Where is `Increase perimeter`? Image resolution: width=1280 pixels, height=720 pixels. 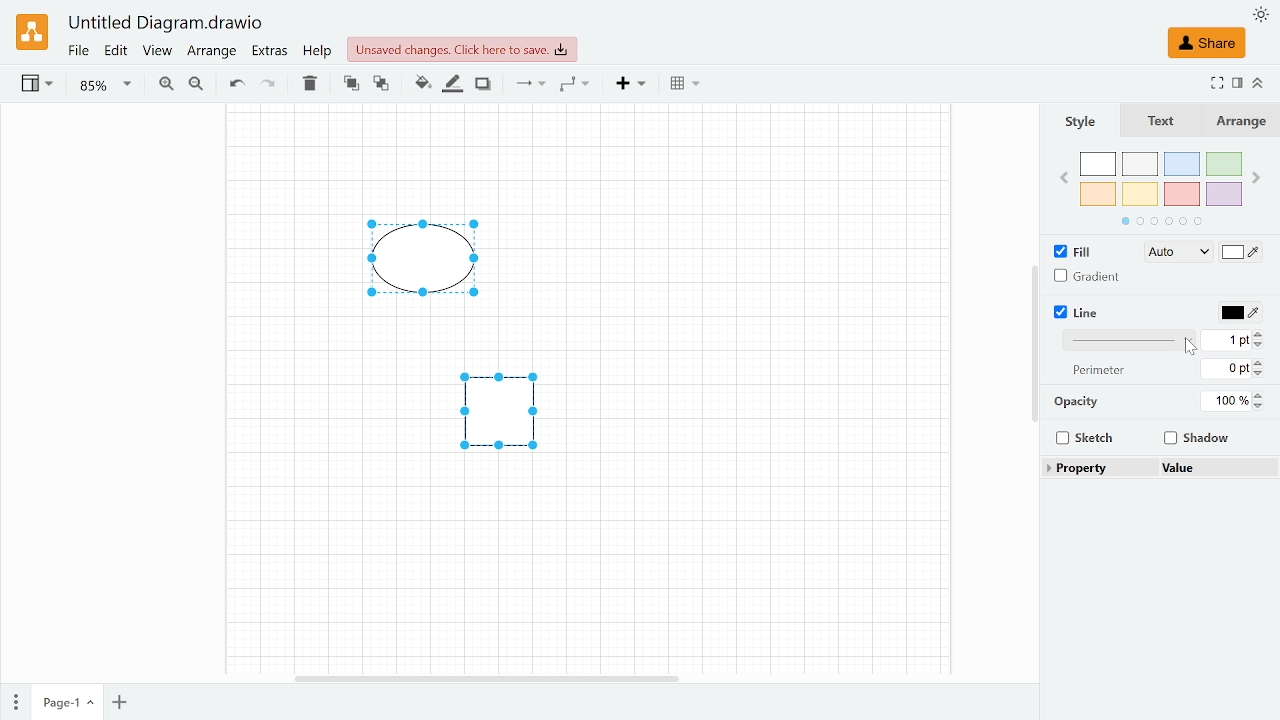 Increase perimeter is located at coordinates (1262, 361).